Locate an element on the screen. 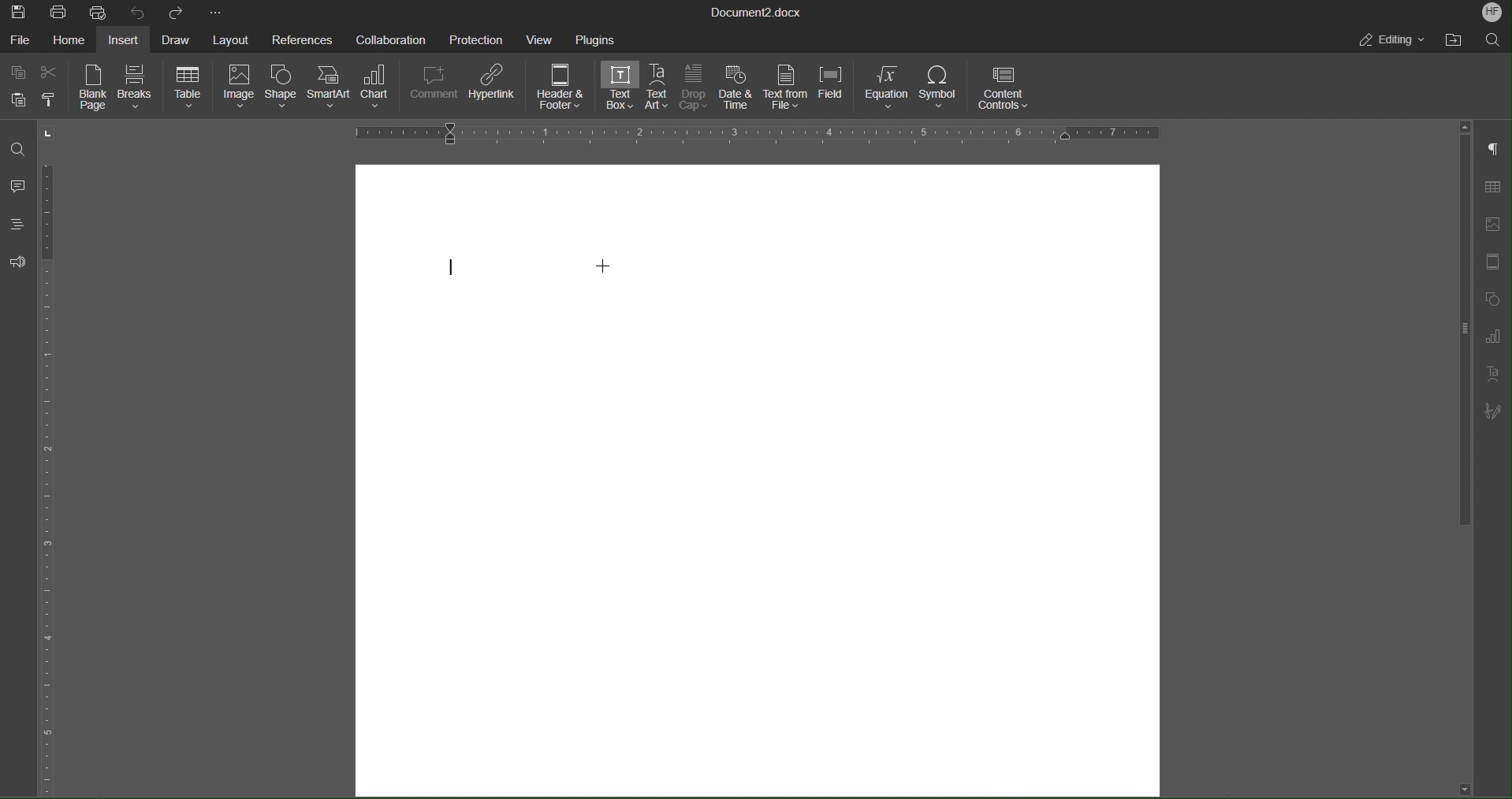 Image resolution: width=1512 pixels, height=799 pixels. Chart is located at coordinates (379, 90).